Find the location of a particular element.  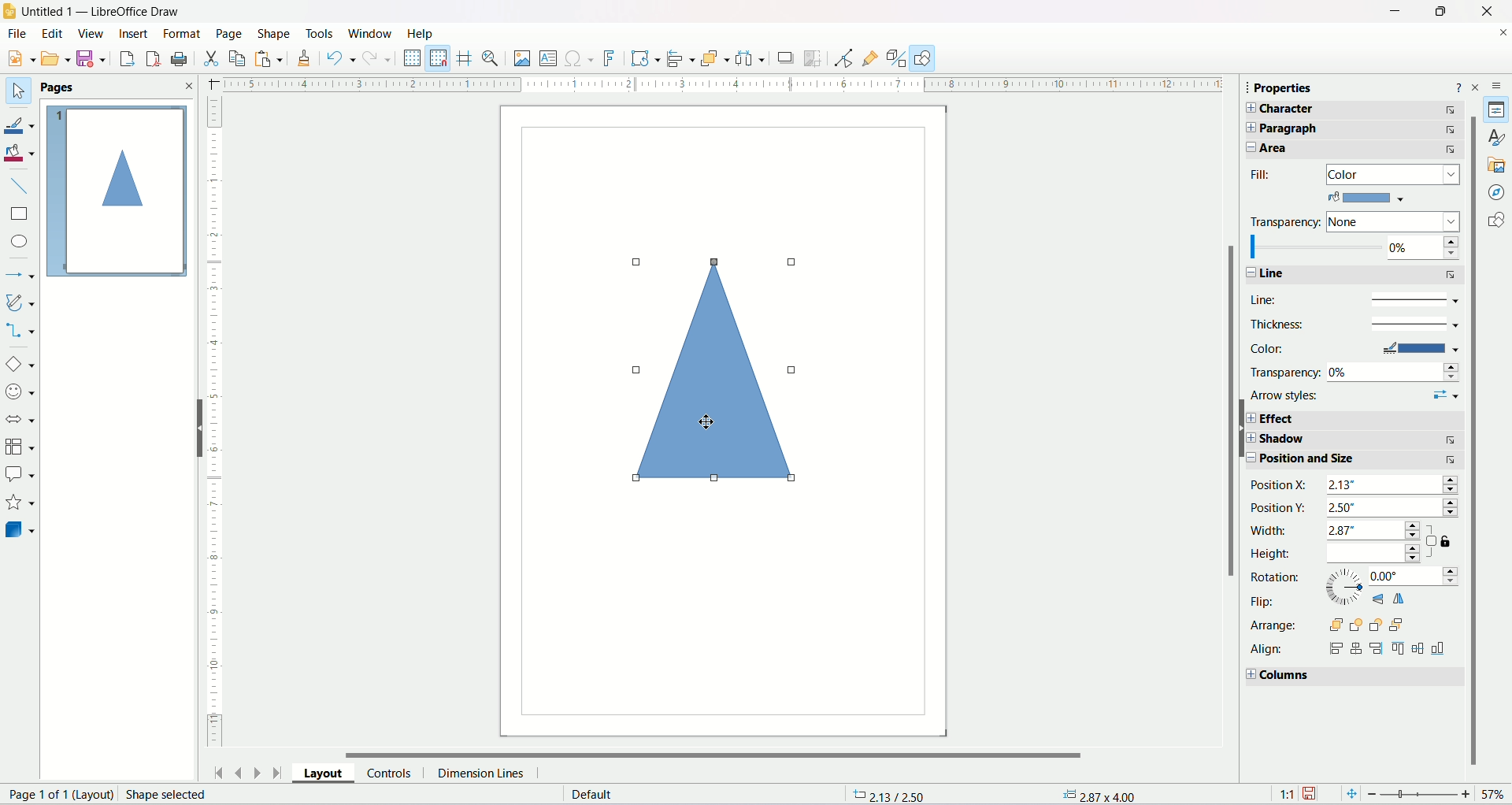

Properties is located at coordinates (1285, 87).